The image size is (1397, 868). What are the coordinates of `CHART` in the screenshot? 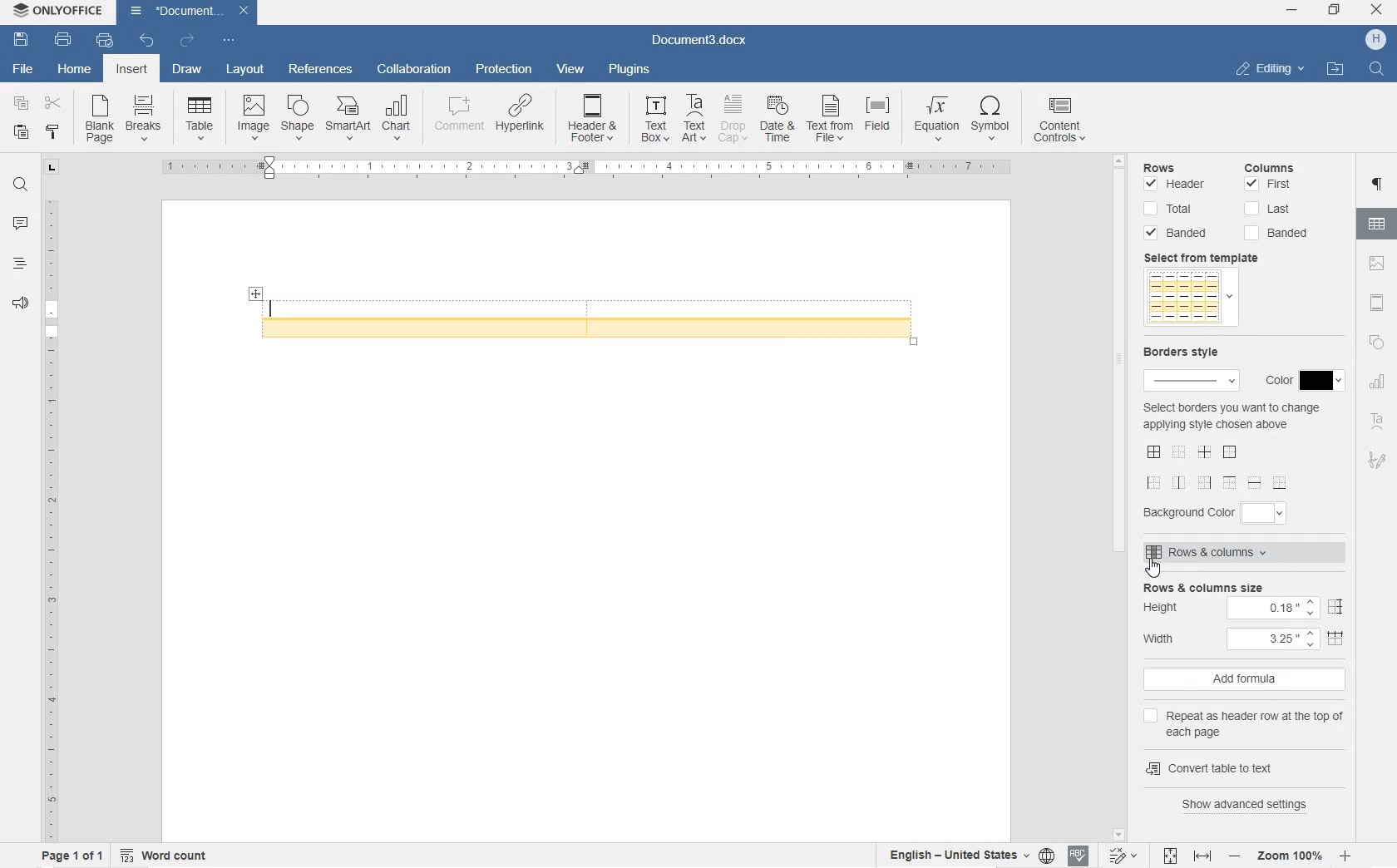 It's located at (1379, 384).